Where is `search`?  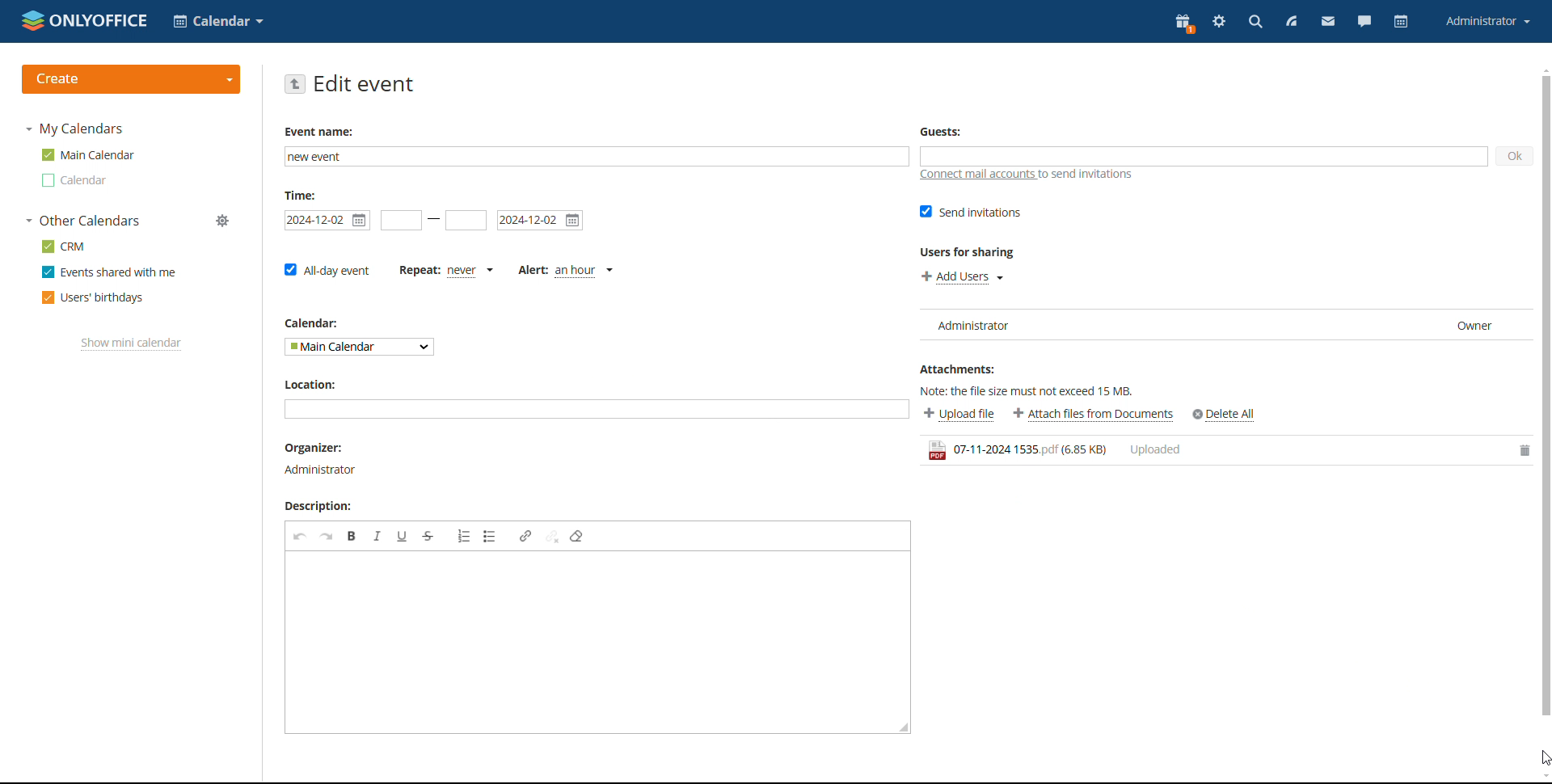 search is located at coordinates (1256, 23).